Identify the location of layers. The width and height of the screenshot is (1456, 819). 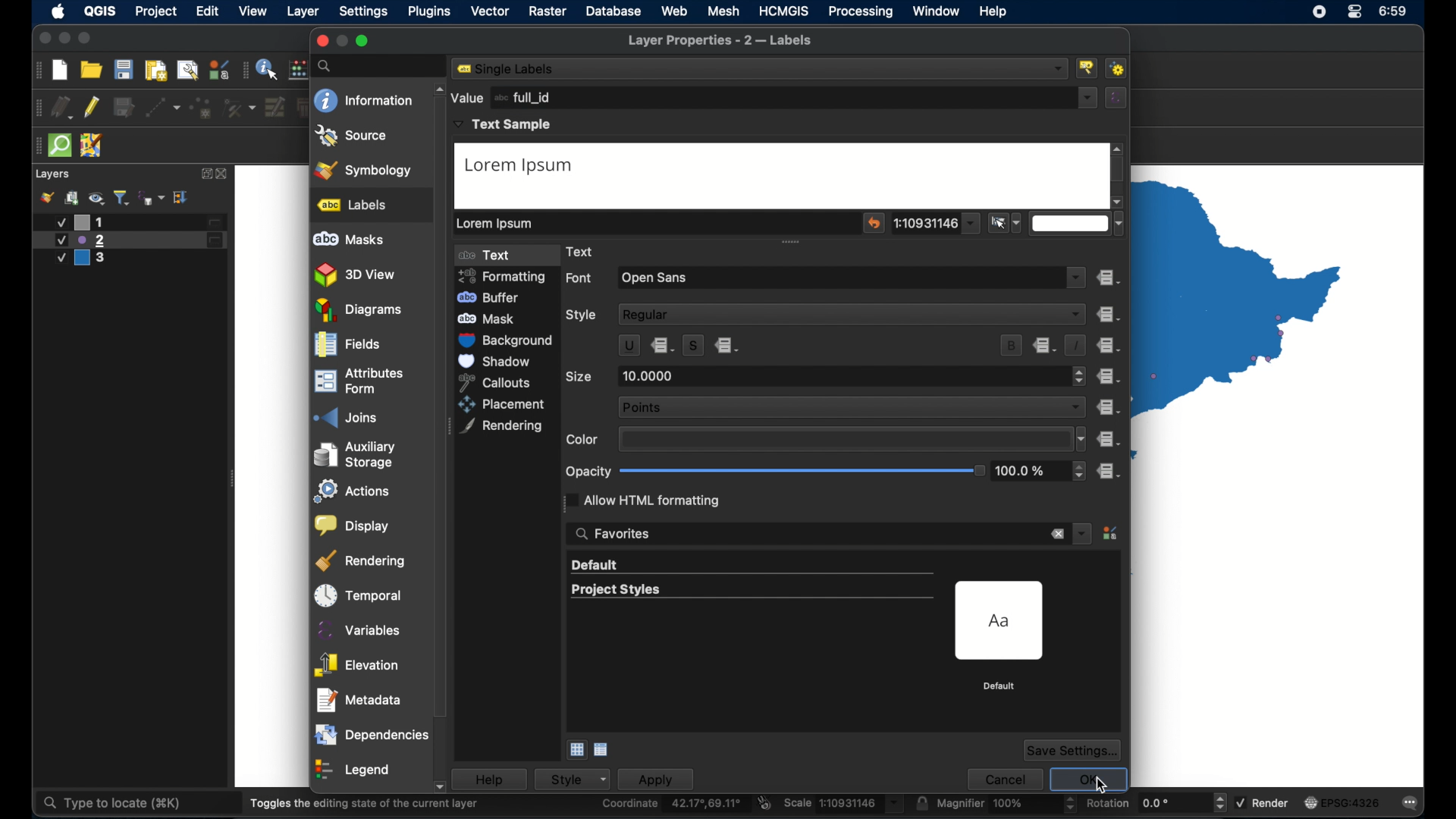
(54, 174).